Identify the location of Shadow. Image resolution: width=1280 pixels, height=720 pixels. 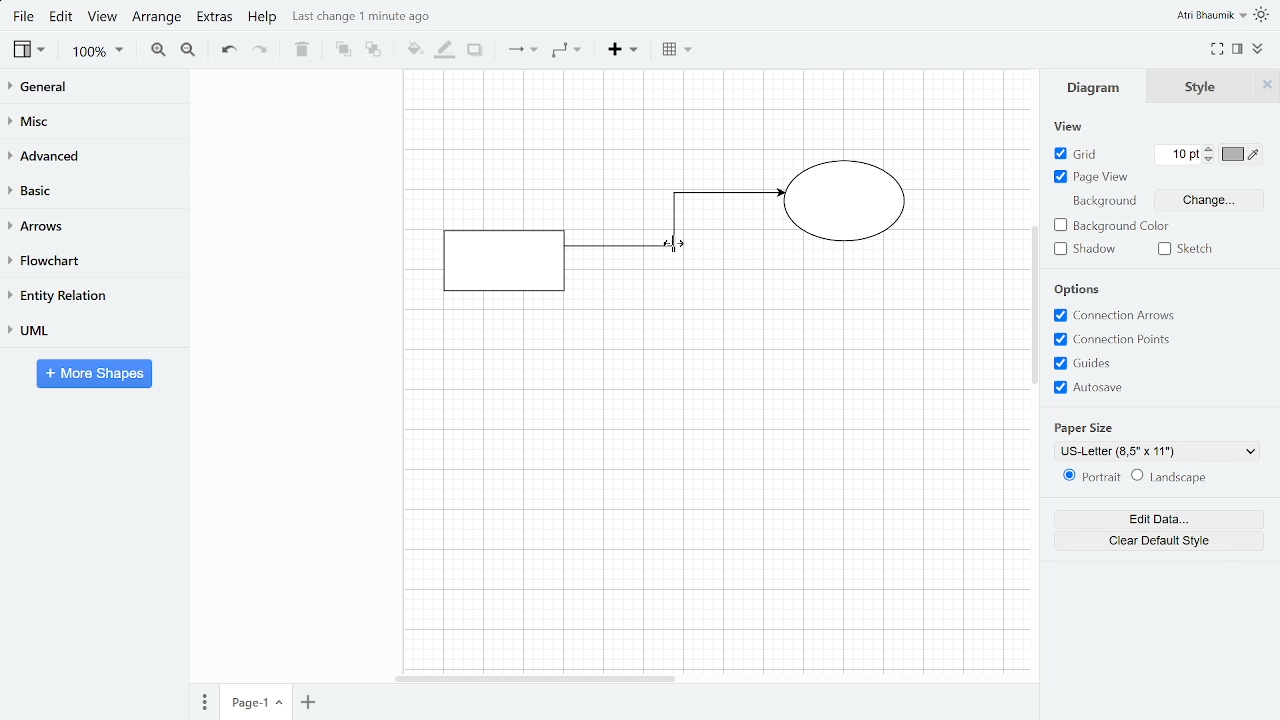
(1090, 248).